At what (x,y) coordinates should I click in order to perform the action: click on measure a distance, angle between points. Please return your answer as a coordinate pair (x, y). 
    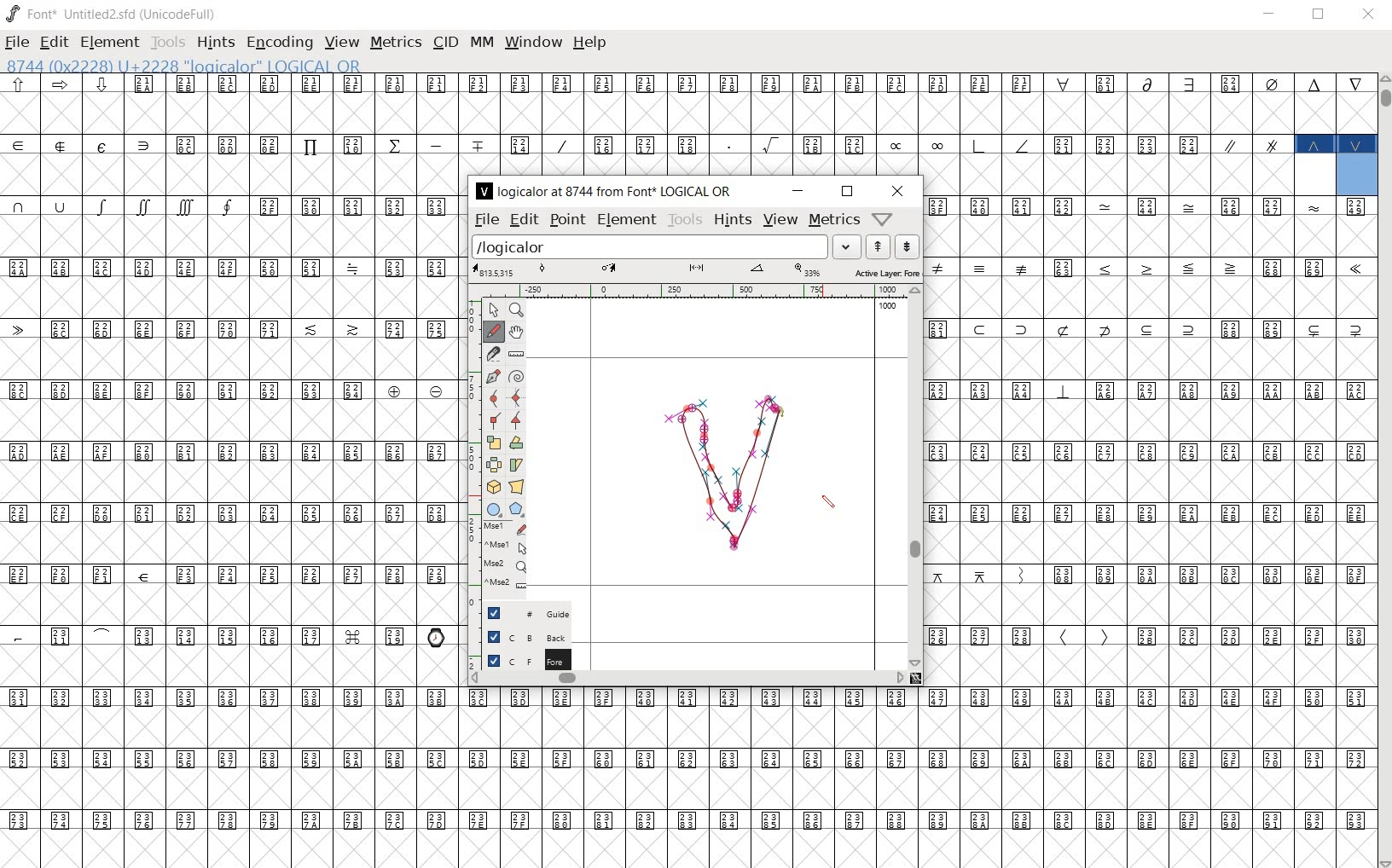
    Looking at the image, I should click on (516, 354).